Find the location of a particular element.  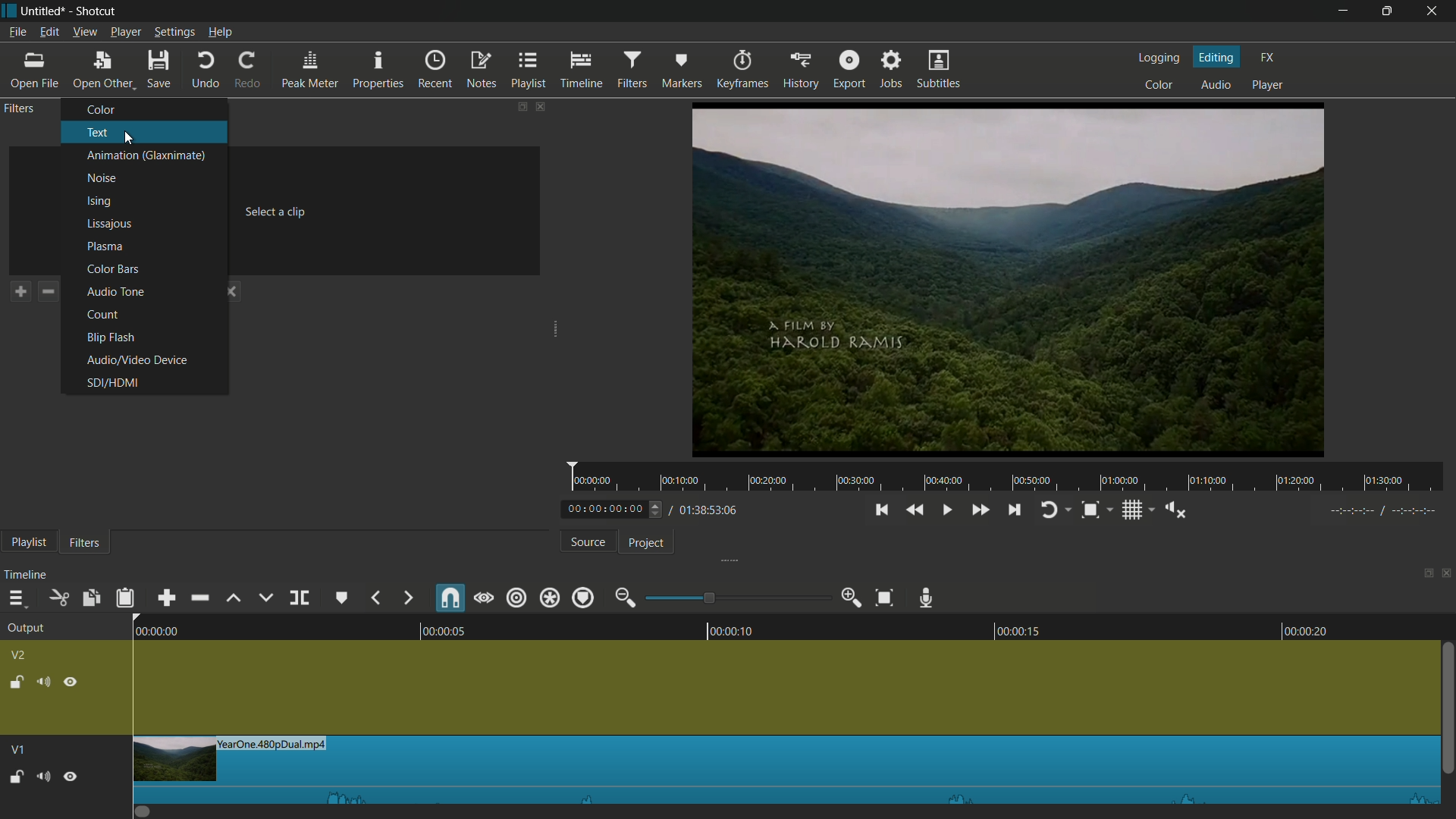

add a filter is located at coordinates (20, 291).